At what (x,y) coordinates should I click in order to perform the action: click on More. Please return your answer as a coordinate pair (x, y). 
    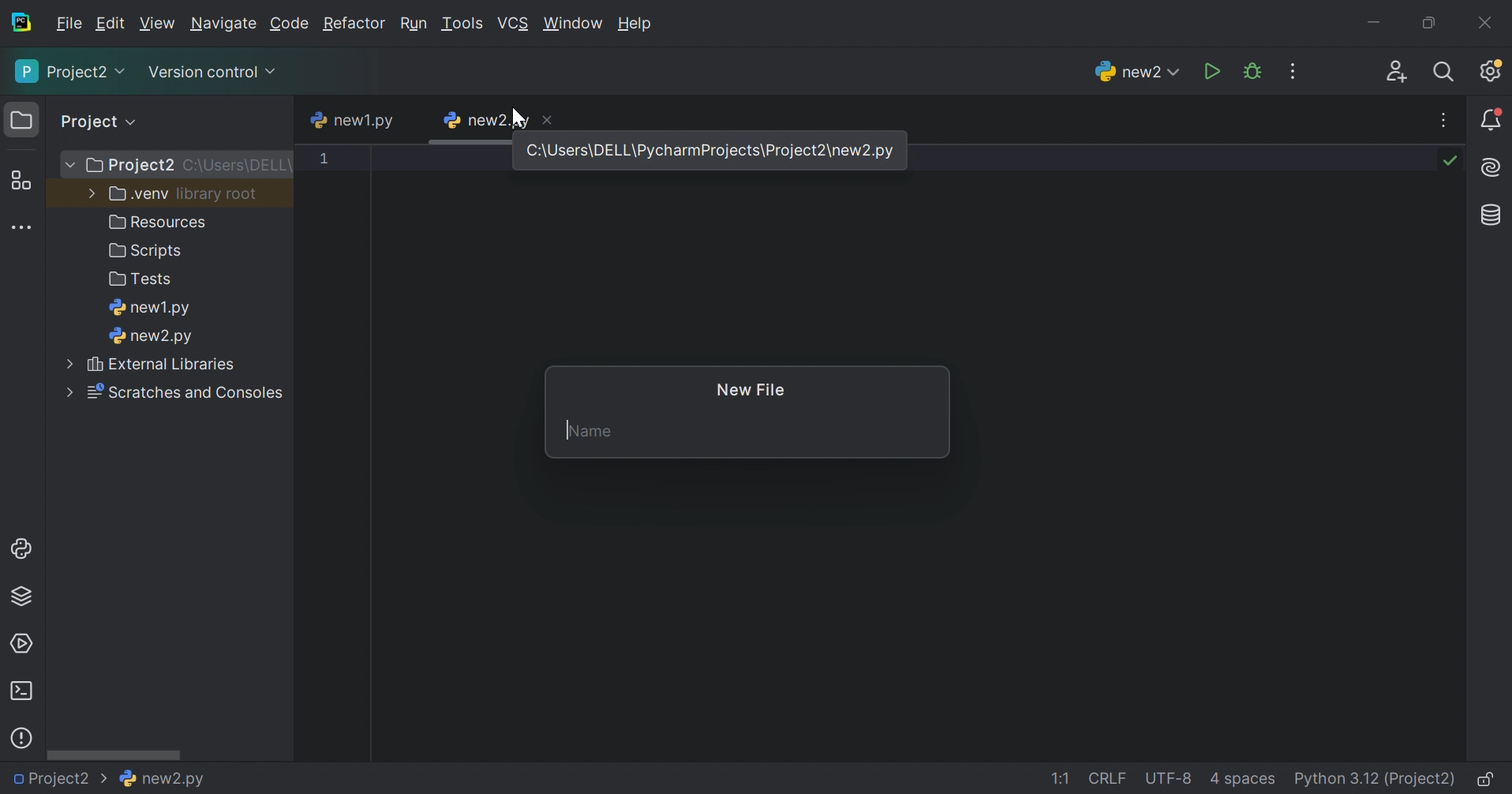
    Looking at the image, I should click on (69, 364).